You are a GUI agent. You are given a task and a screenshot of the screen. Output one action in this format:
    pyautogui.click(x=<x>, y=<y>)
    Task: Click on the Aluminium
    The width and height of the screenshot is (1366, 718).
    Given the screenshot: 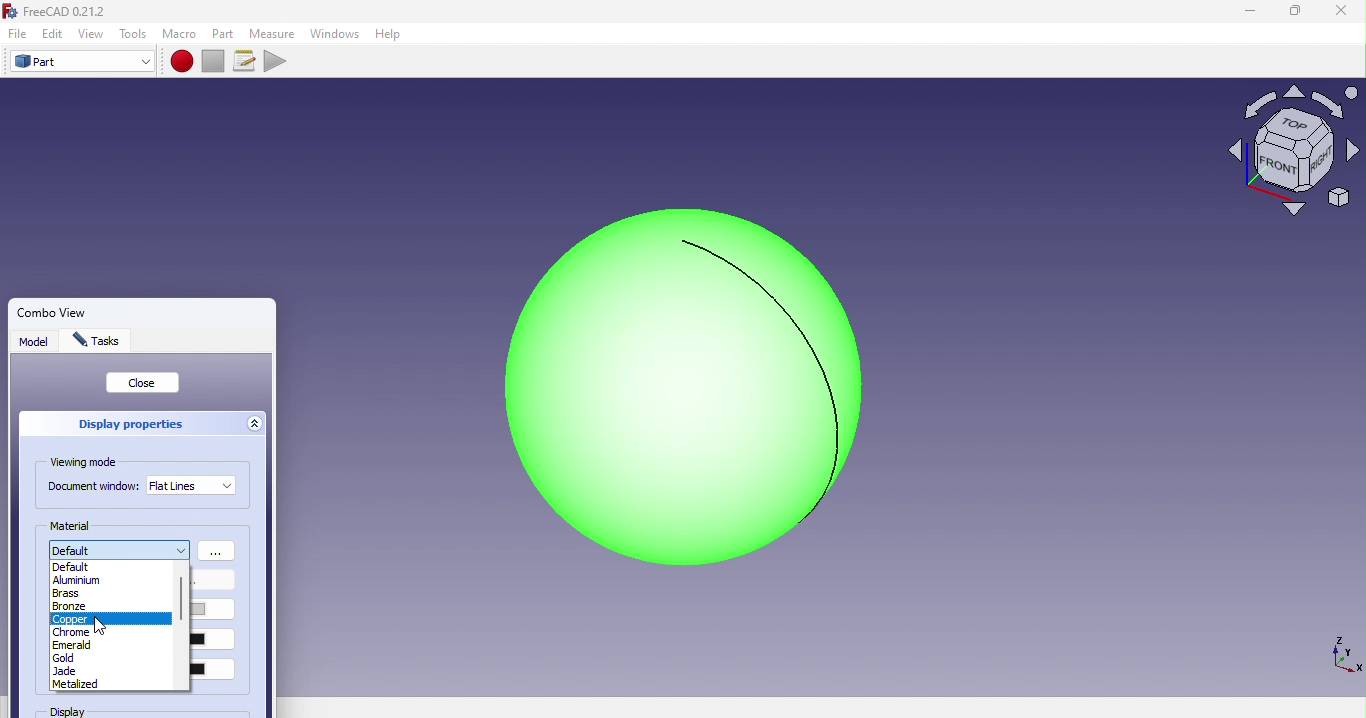 What is the action you would take?
    pyautogui.click(x=78, y=580)
    